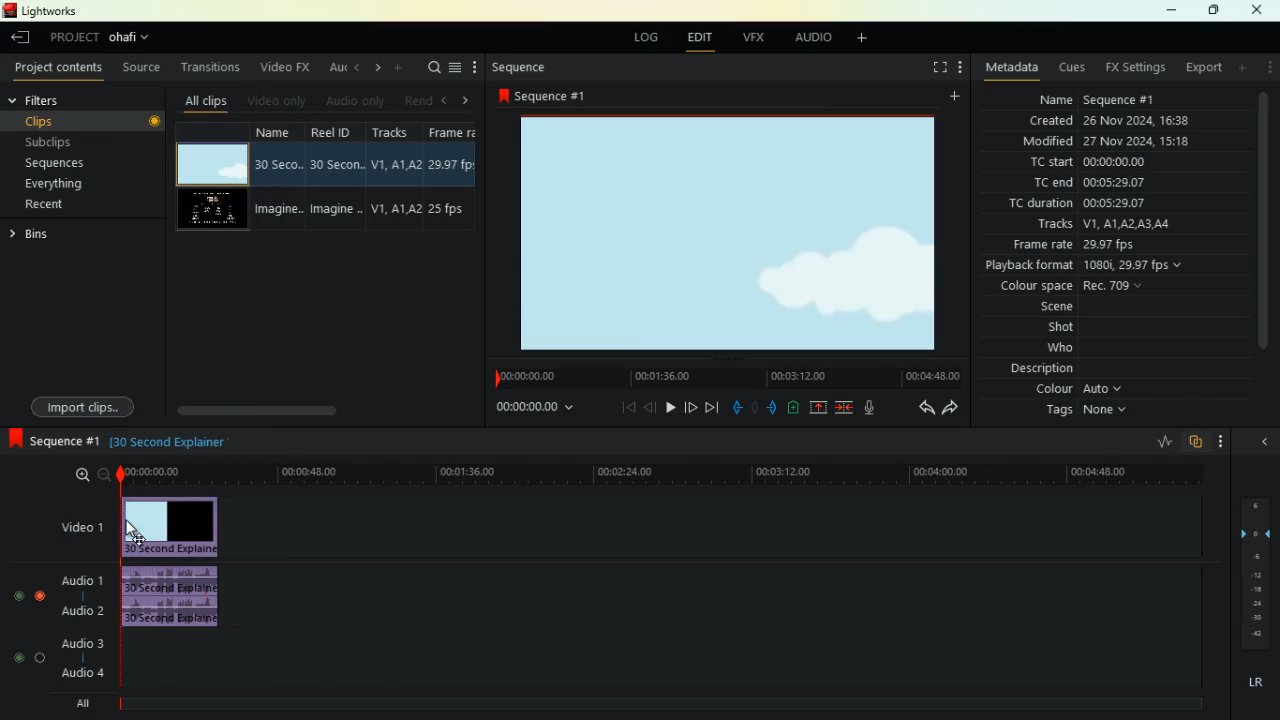  What do you see at coordinates (155, 124) in the screenshot?
I see `toggle button` at bounding box center [155, 124].